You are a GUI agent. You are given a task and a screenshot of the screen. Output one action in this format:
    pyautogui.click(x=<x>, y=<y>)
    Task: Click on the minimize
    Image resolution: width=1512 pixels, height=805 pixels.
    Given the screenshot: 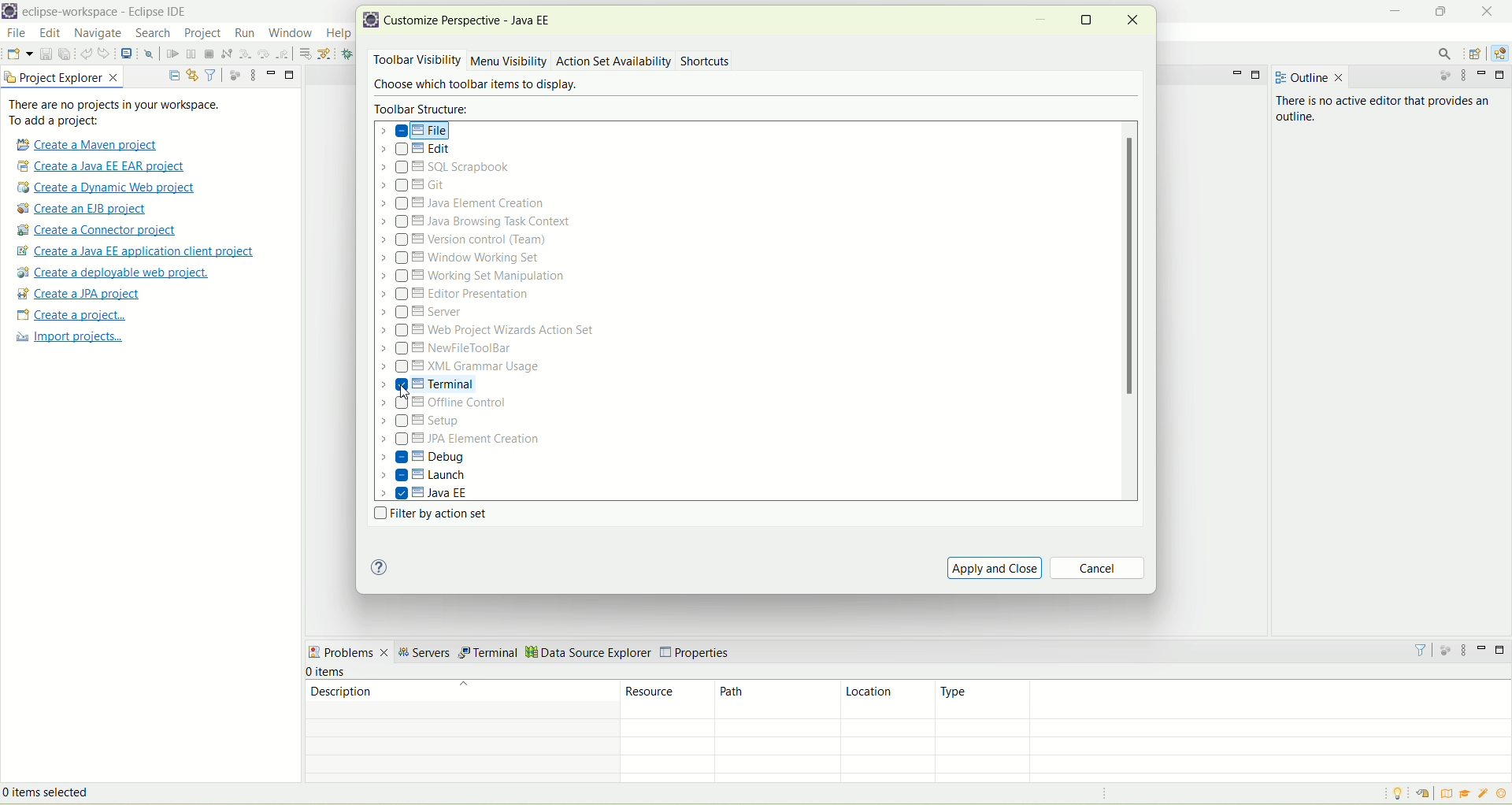 What is the action you would take?
    pyautogui.click(x=1484, y=76)
    